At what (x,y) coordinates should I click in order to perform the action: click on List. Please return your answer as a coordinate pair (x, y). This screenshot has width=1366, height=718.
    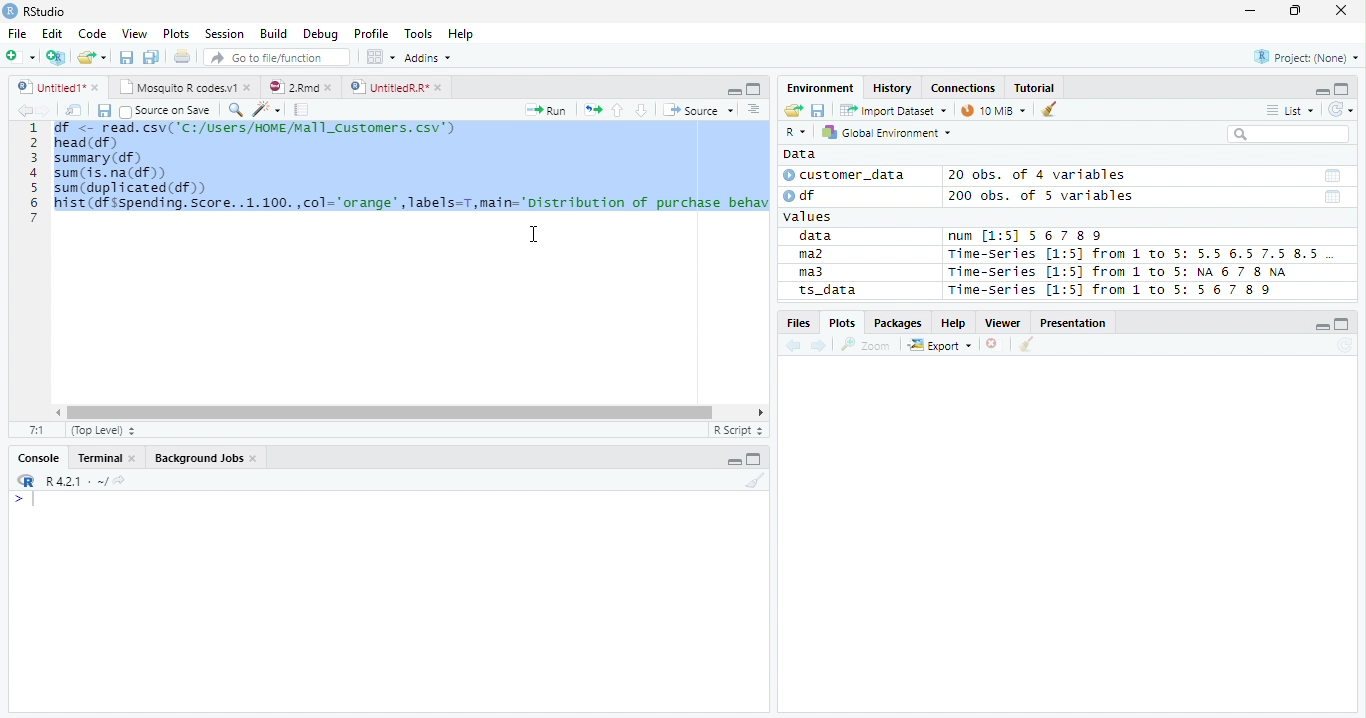
    Looking at the image, I should click on (1289, 111).